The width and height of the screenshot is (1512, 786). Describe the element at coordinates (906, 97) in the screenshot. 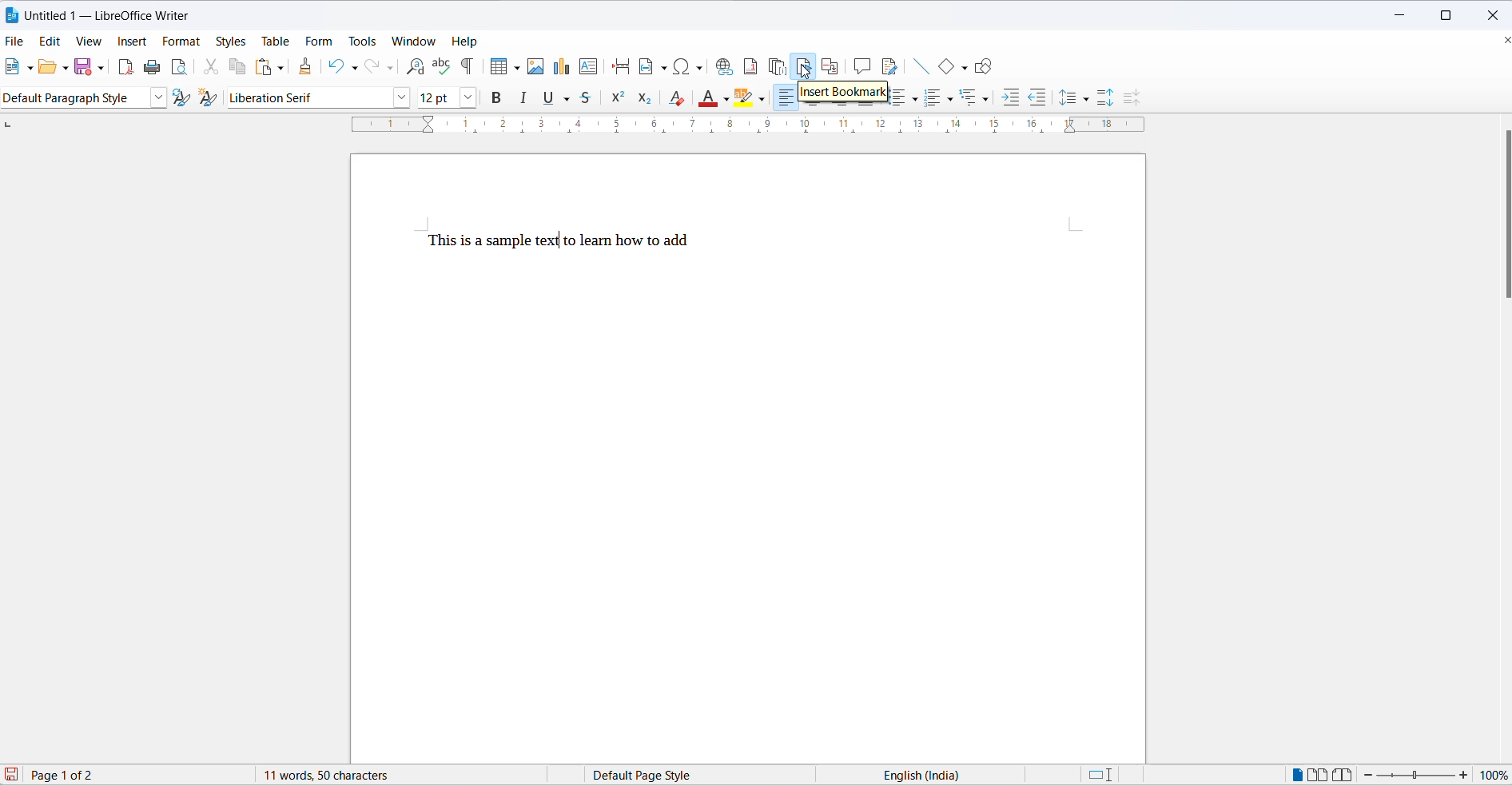

I see `toggle unordered list option` at that location.